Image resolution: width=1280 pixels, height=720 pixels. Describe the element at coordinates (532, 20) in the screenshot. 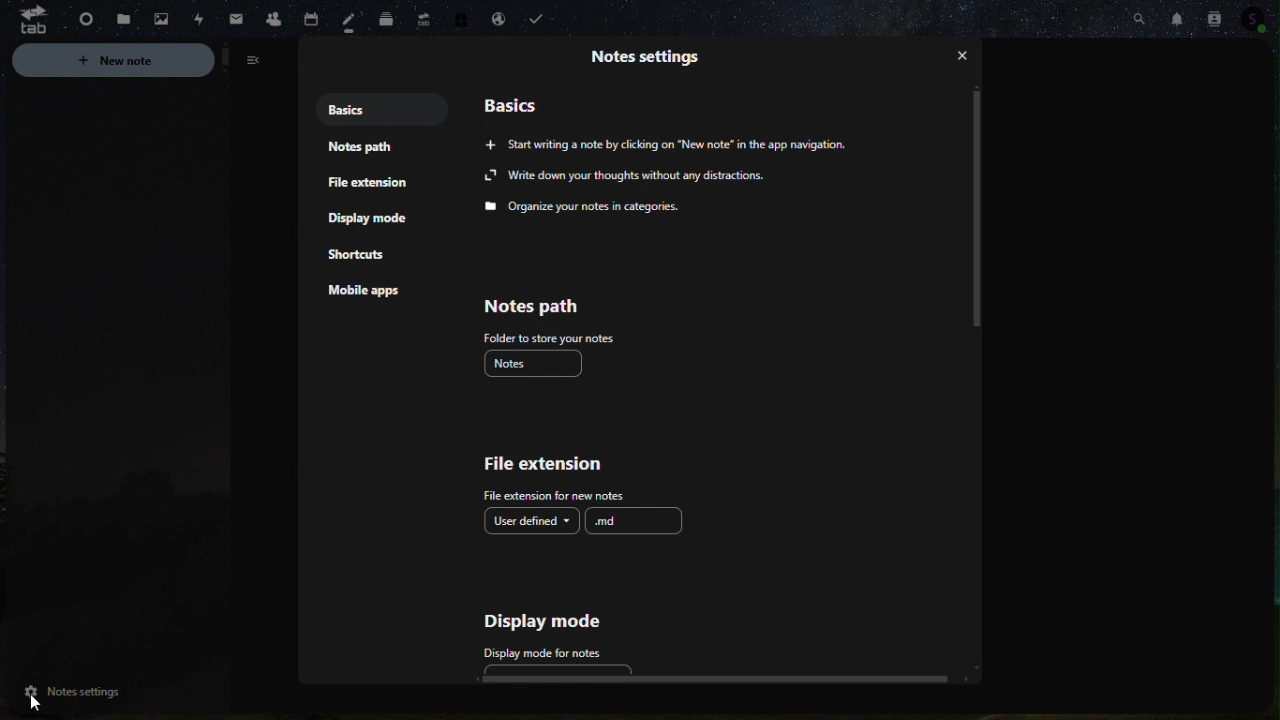

I see `Task` at that location.